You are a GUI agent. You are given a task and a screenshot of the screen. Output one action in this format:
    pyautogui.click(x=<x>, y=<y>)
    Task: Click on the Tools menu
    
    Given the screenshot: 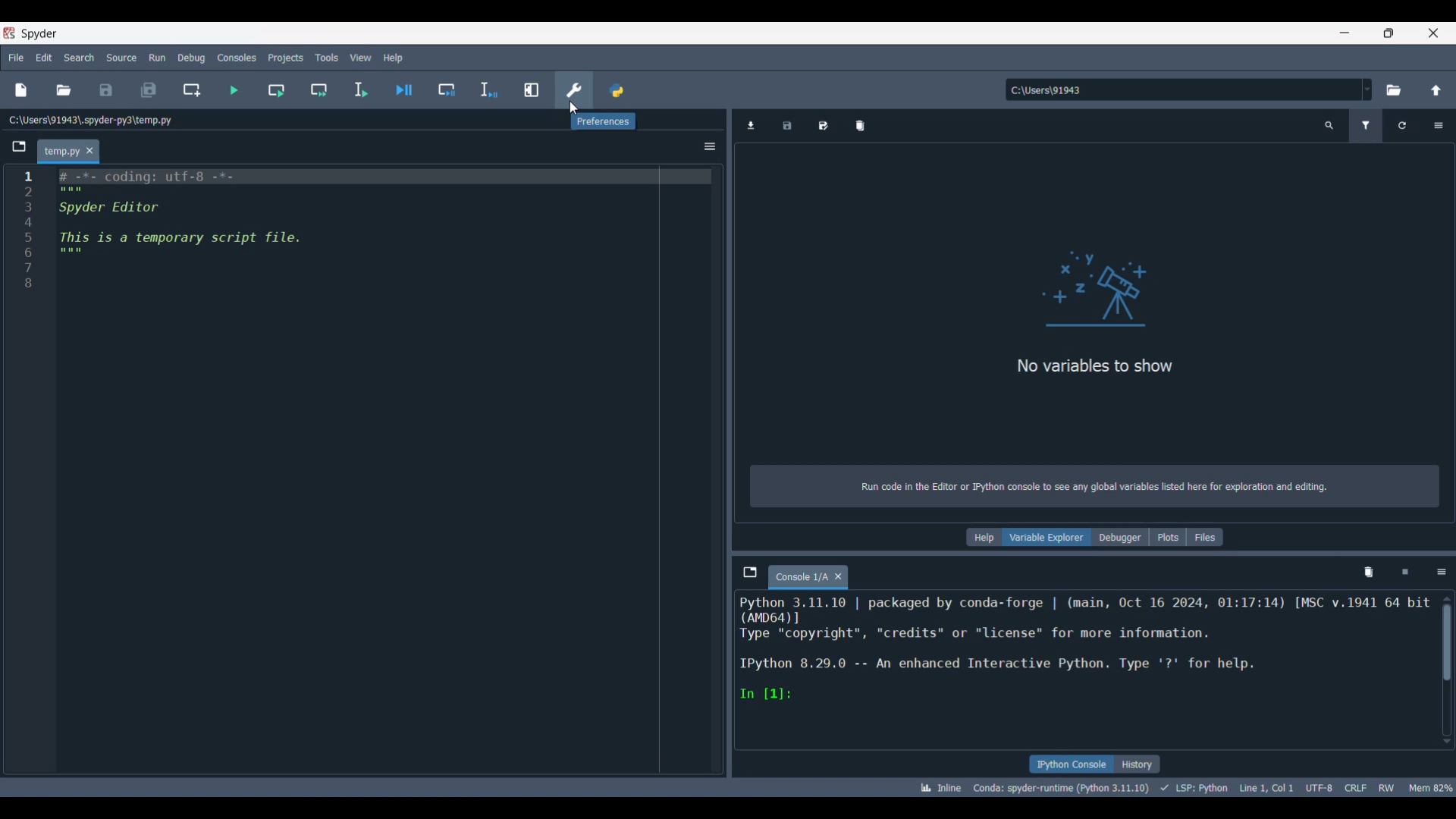 What is the action you would take?
    pyautogui.click(x=327, y=57)
    